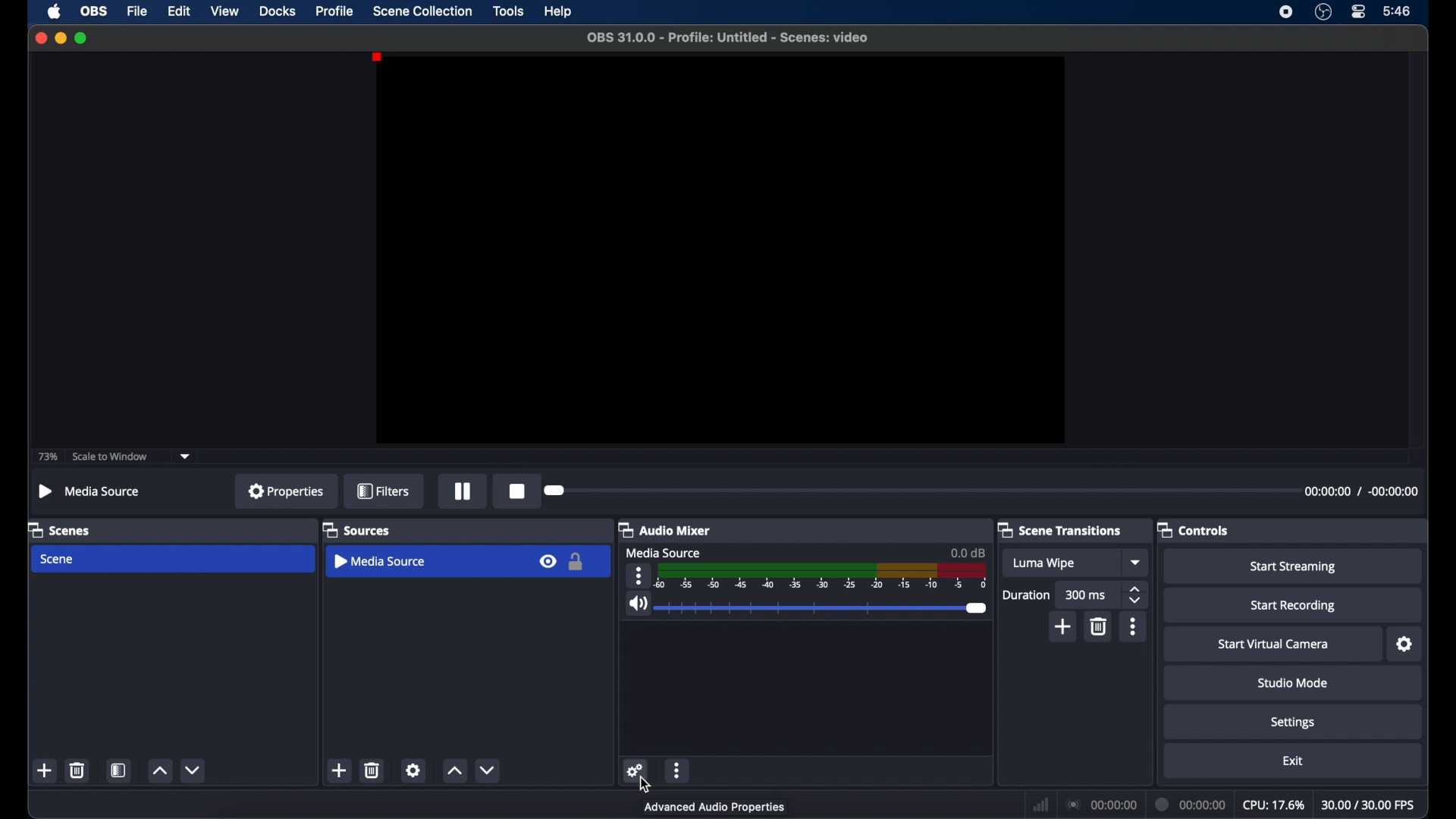  Describe the element at coordinates (93, 11) in the screenshot. I see `obs` at that location.